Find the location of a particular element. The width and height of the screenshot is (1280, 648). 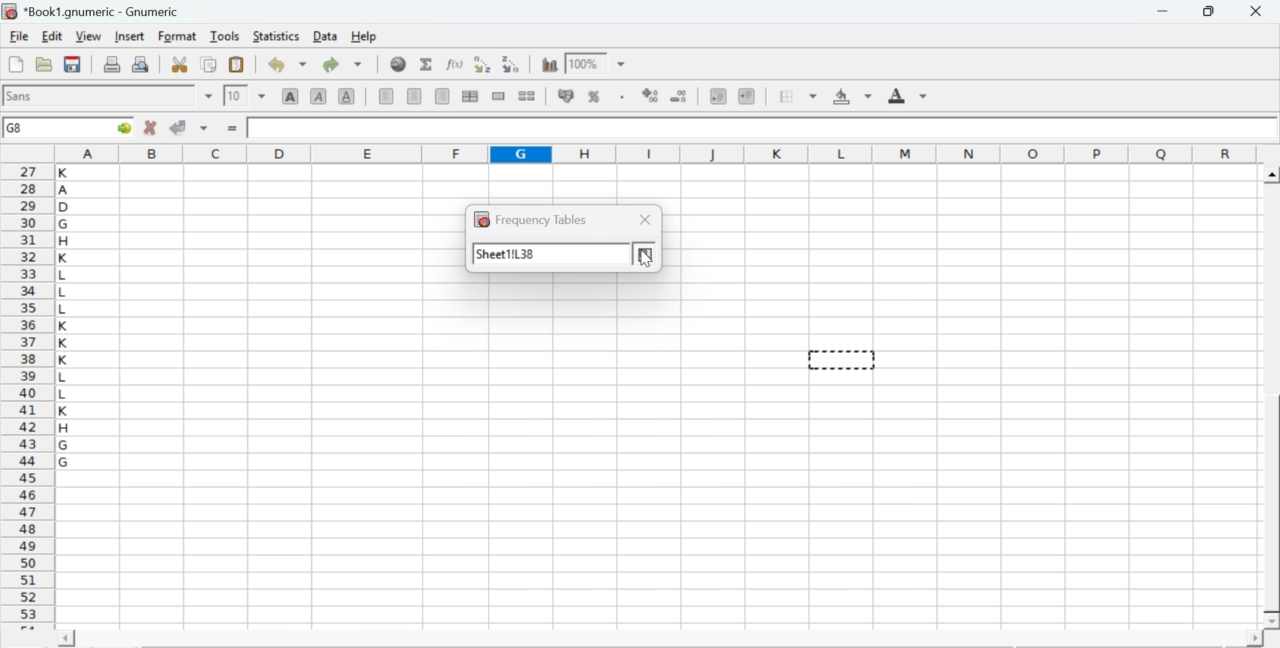

center horizontally is located at coordinates (470, 96).